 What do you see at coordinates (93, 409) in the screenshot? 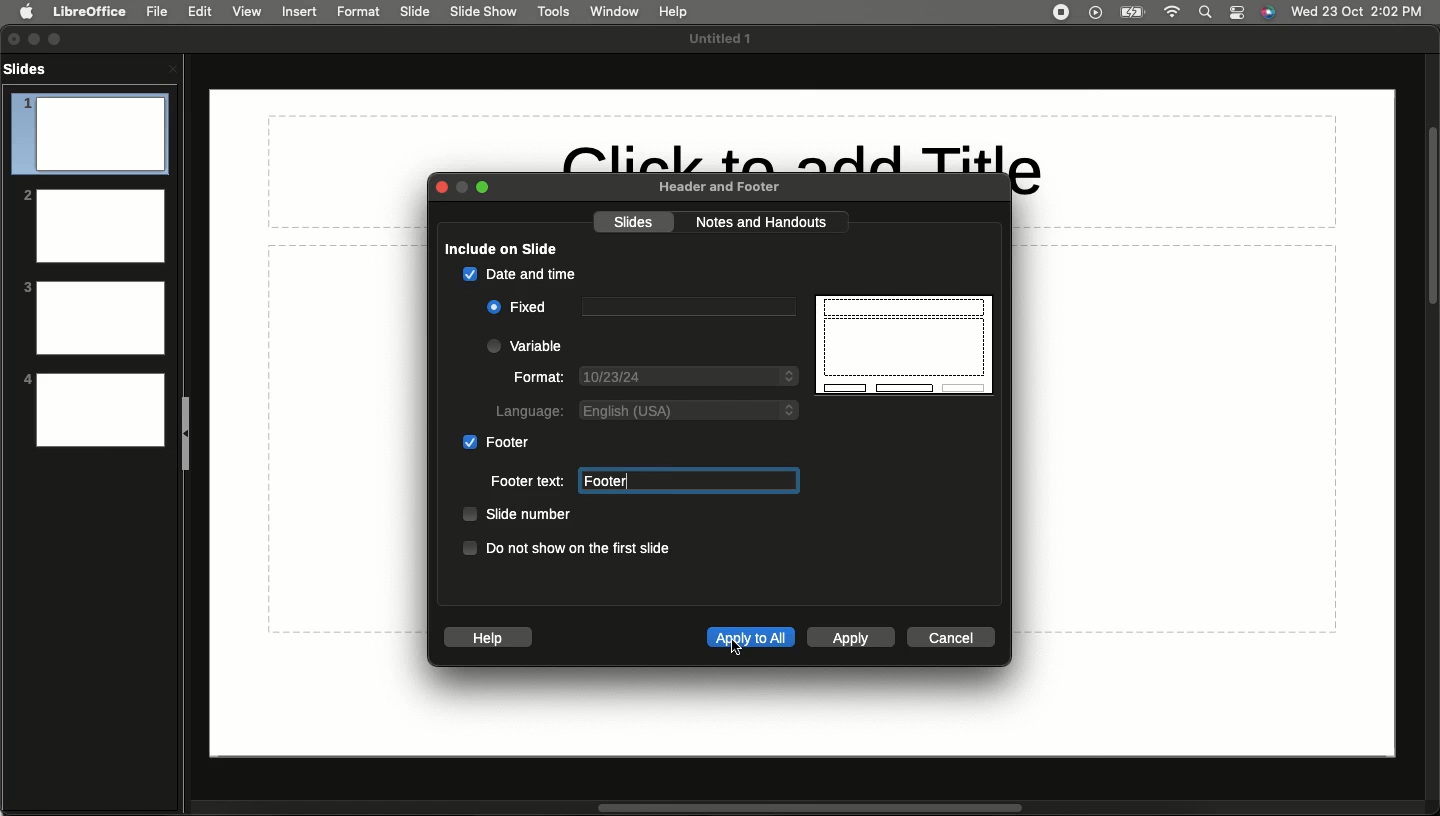
I see `4` at bounding box center [93, 409].